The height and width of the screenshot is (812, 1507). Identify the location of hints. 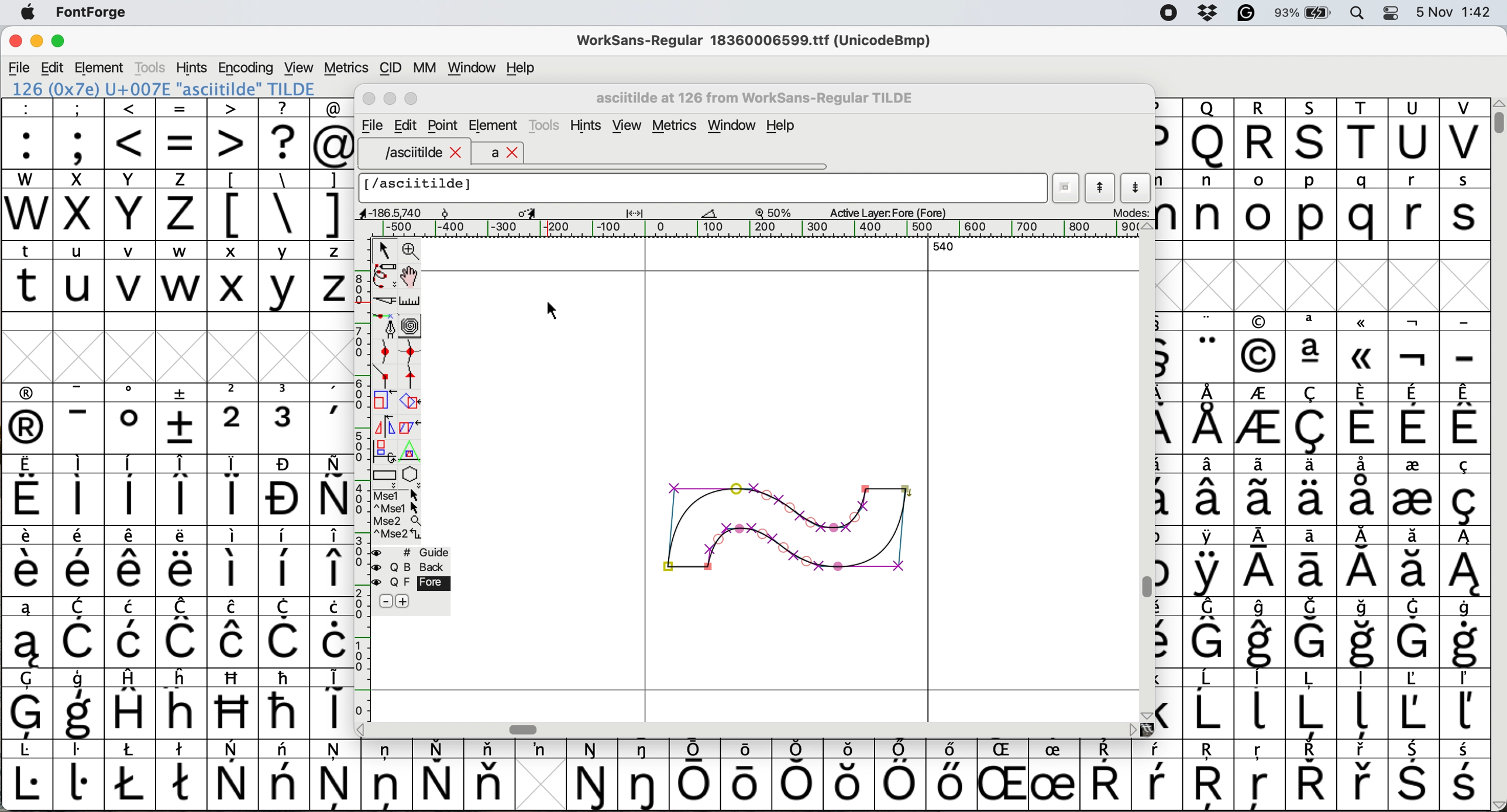
(192, 67).